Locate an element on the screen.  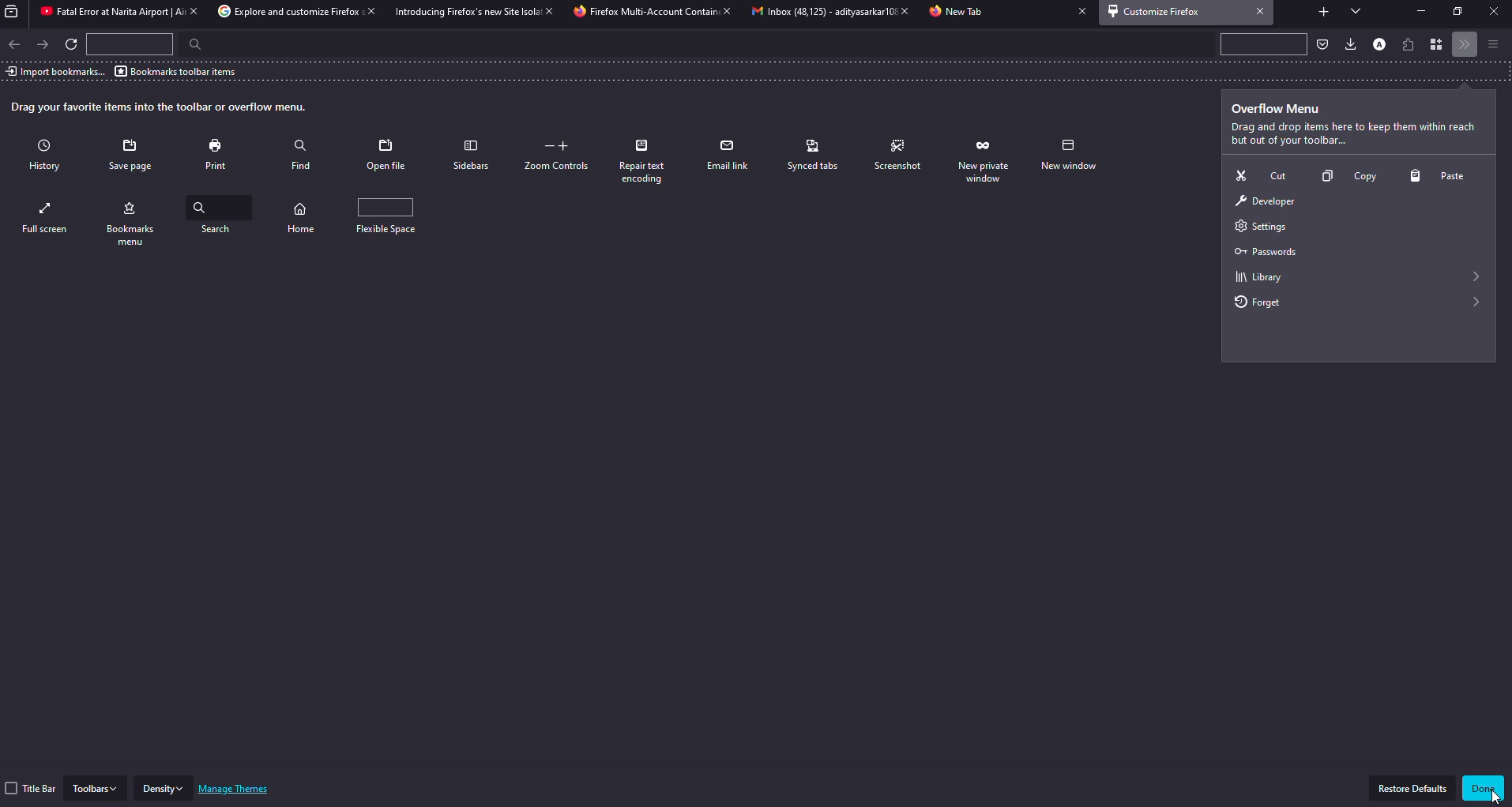
history is located at coordinates (49, 156).